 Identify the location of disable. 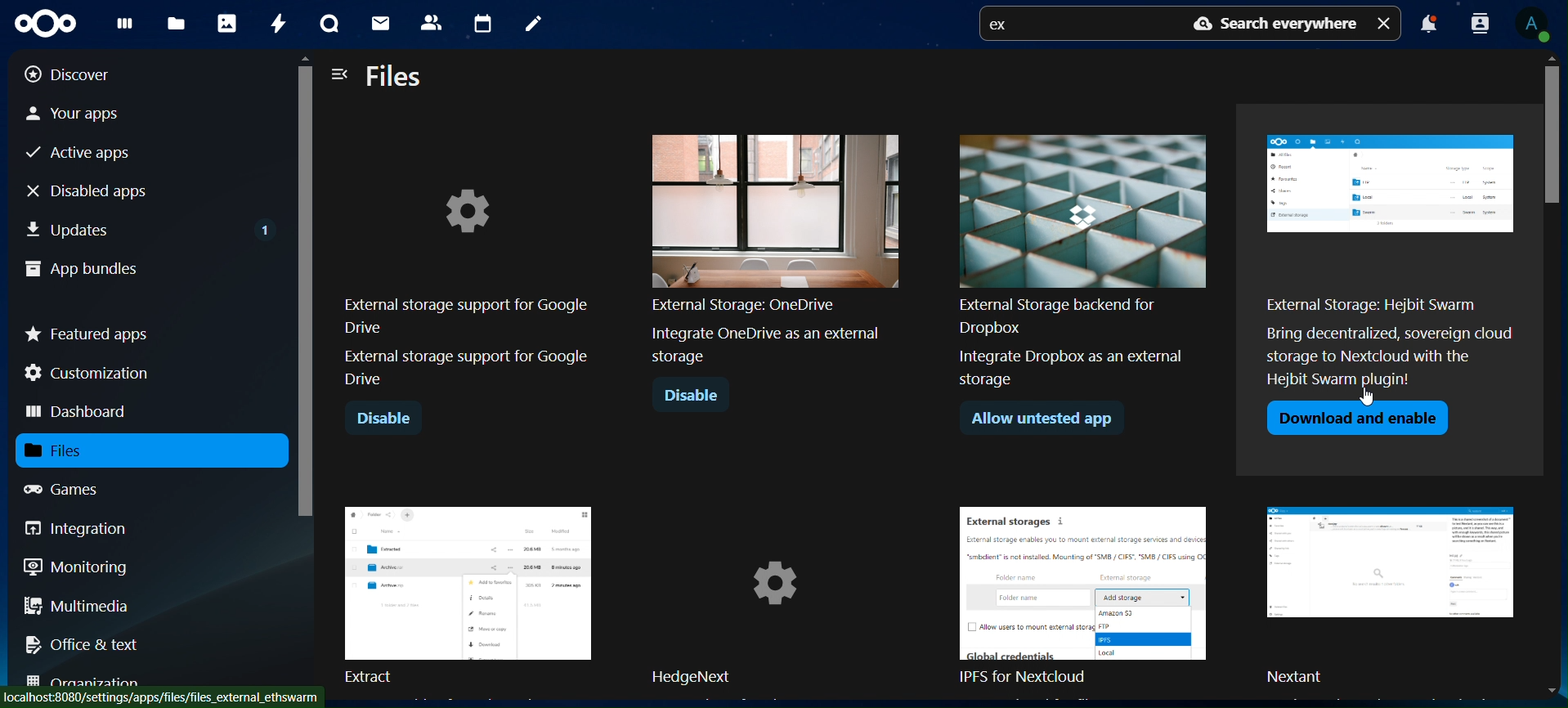
(693, 397).